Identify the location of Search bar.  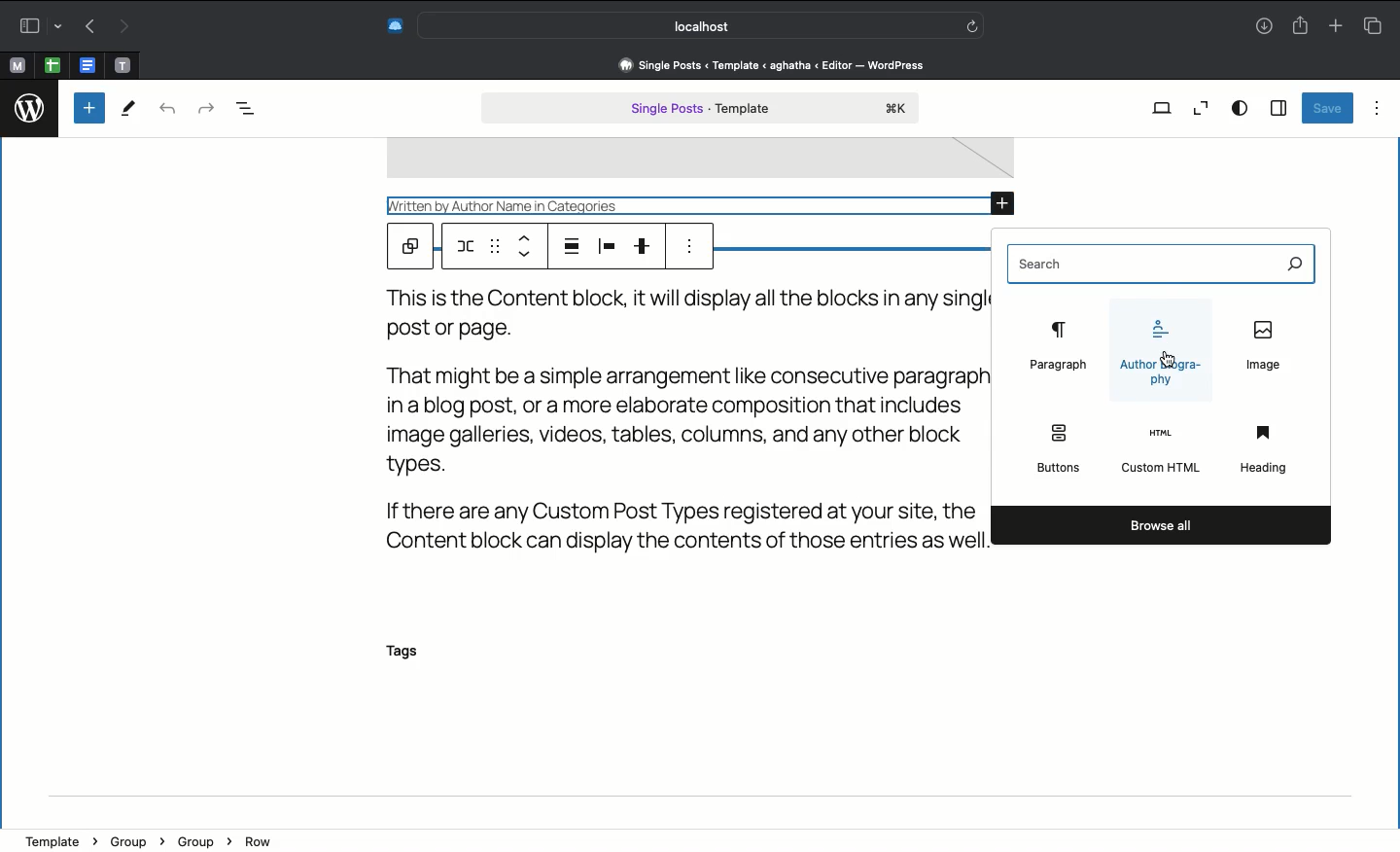
(704, 25).